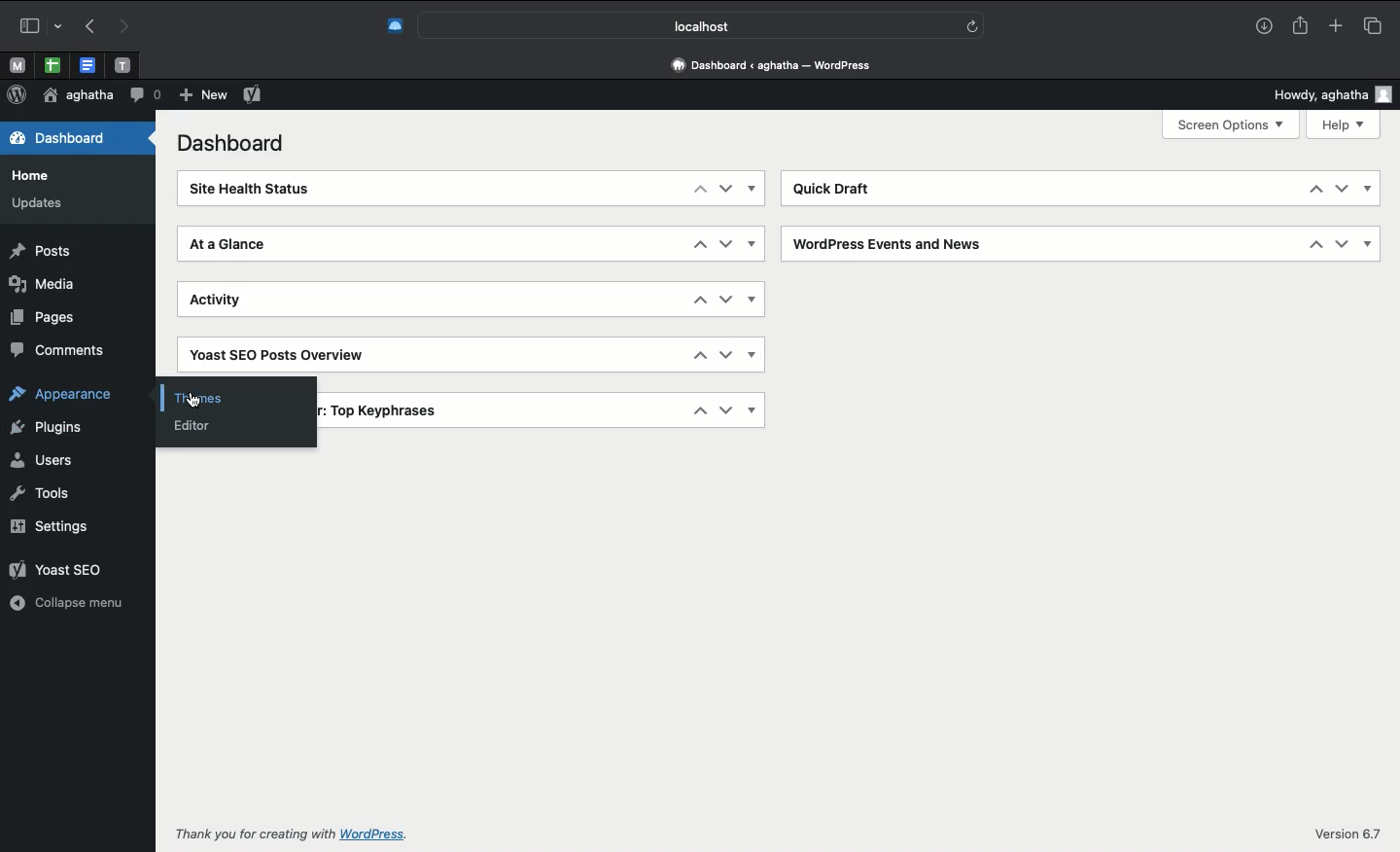 Image resolution: width=1400 pixels, height=852 pixels. I want to click on Show, so click(753, 189).